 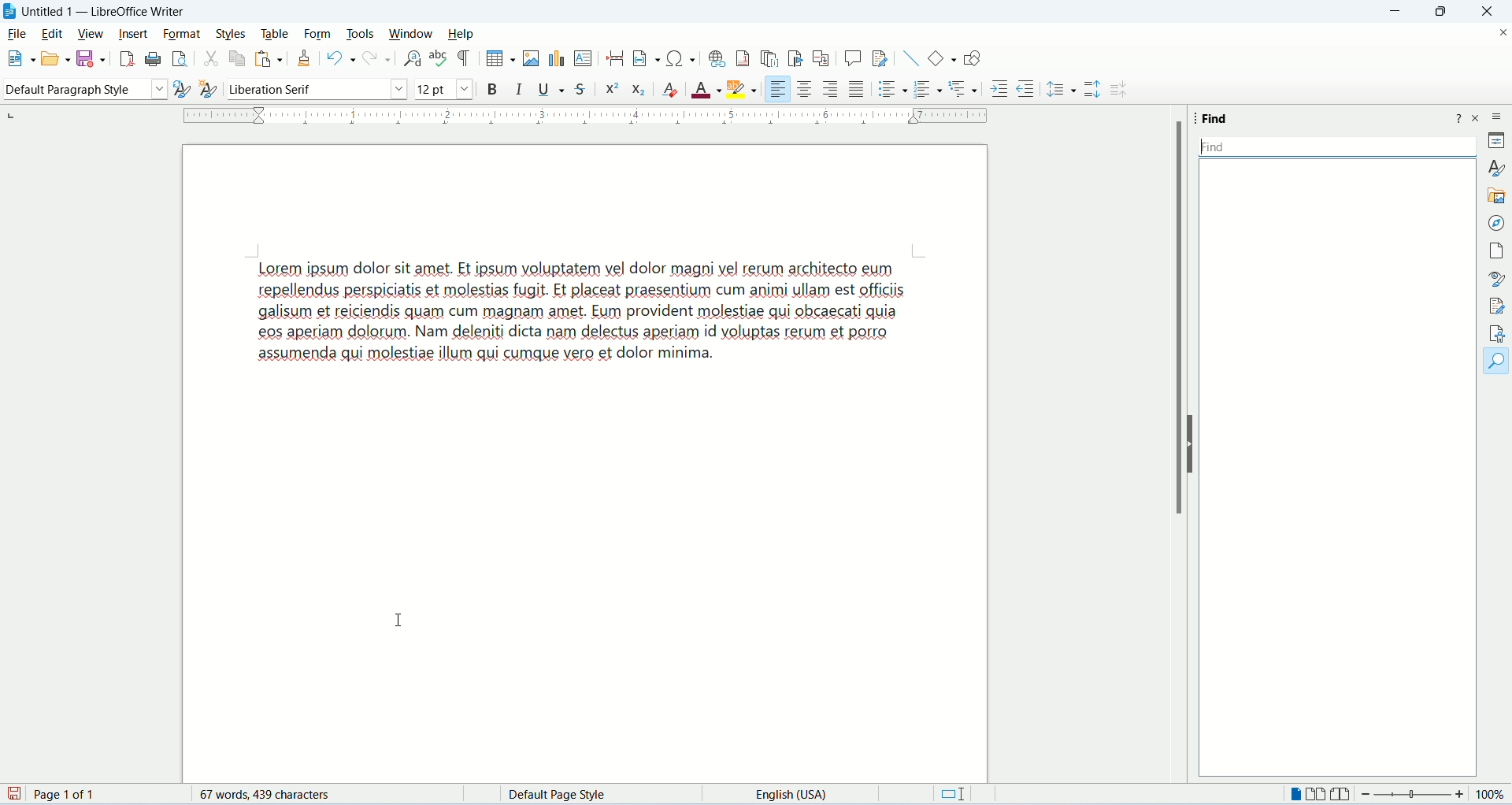 What do you see at coordinates (128, 59) in the screenshot?
I see `export as PDF` at bounding box center [128, 59].